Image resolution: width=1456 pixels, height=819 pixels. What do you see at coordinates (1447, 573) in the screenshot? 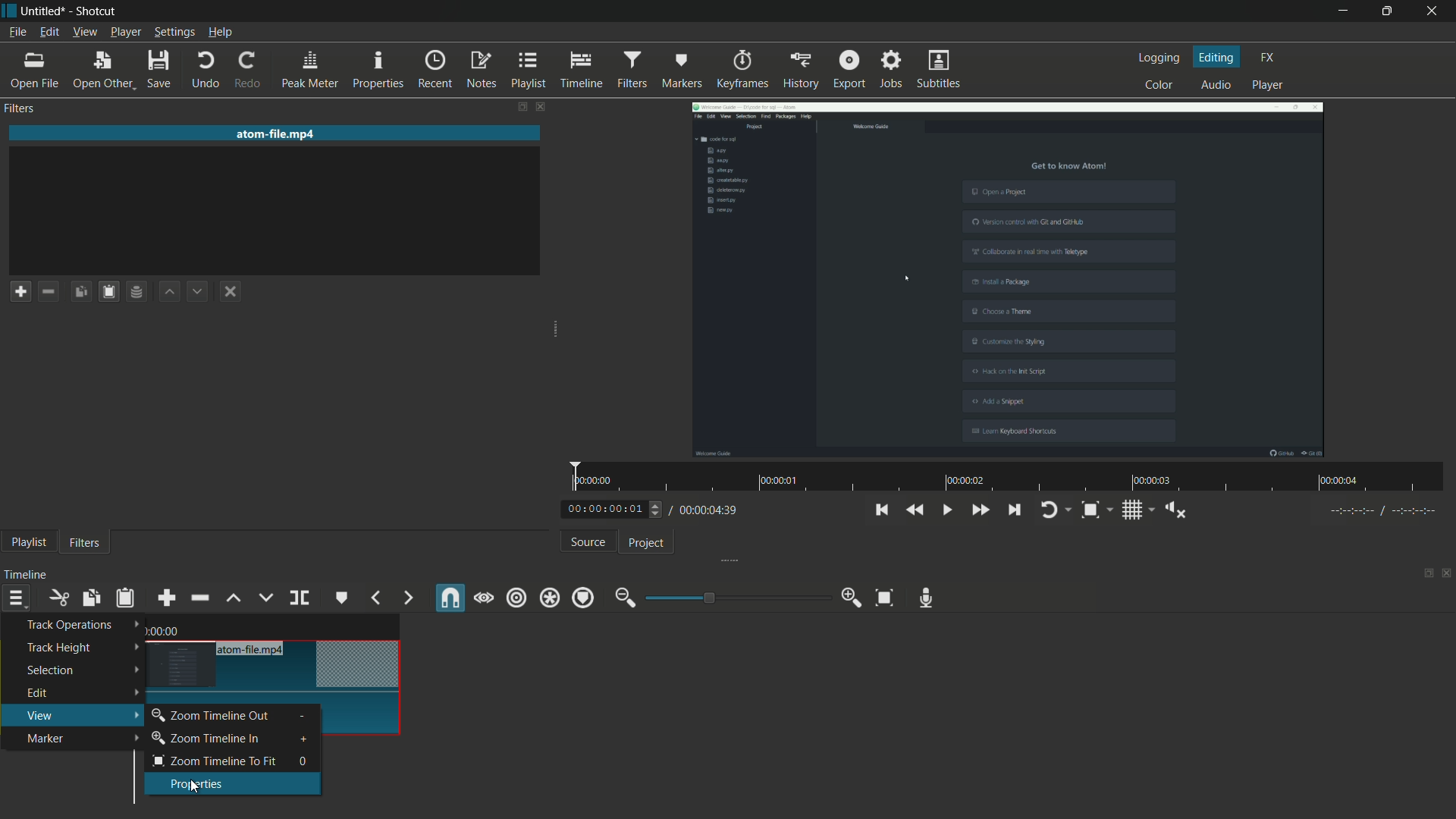
I see `close timeline` at bounding box center [1447, 573].